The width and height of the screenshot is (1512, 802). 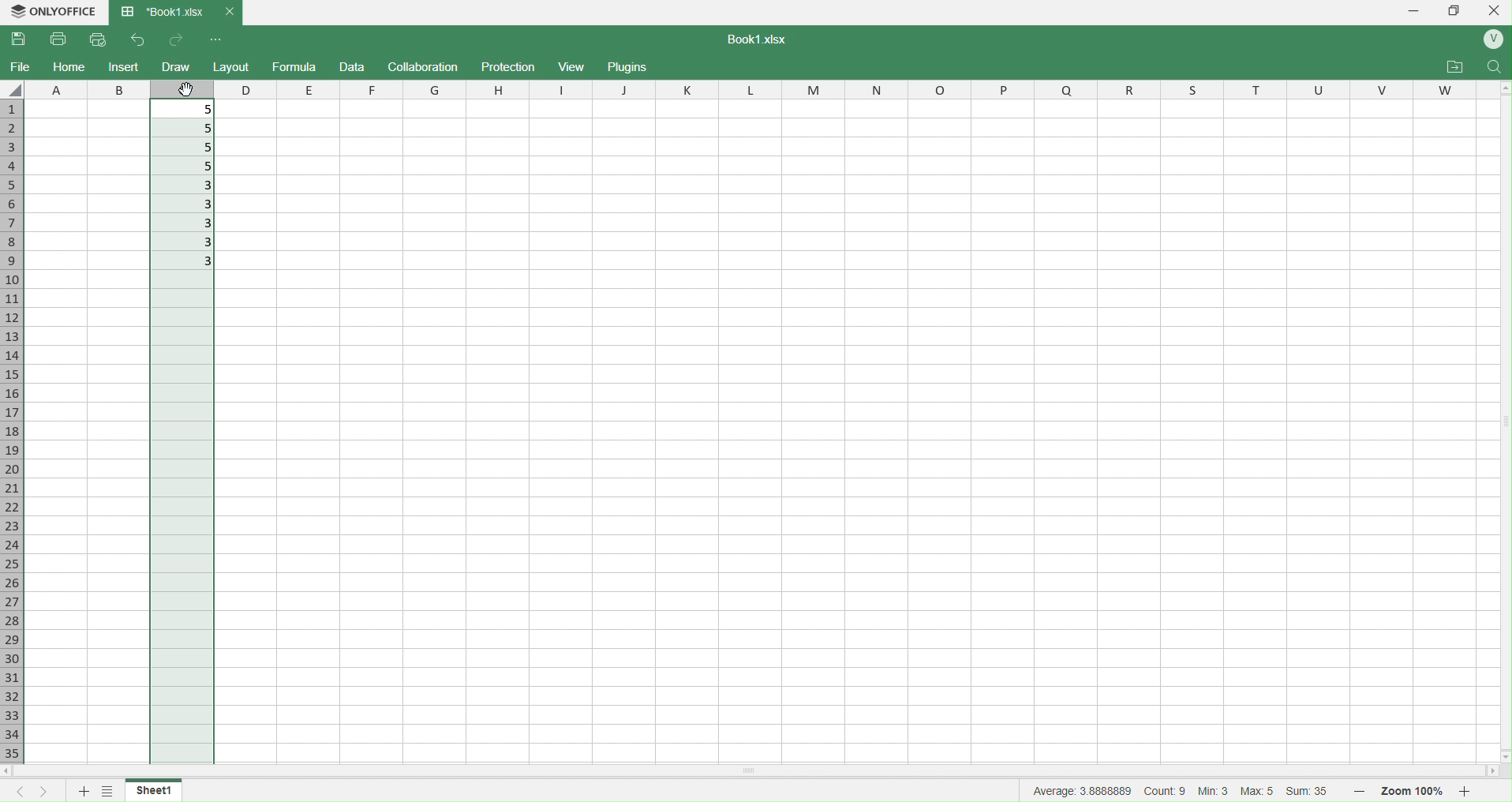 What do you see at coordinates (1492, 68) in the screenshot?
I see `Find` at bounding box center [1492, 68].